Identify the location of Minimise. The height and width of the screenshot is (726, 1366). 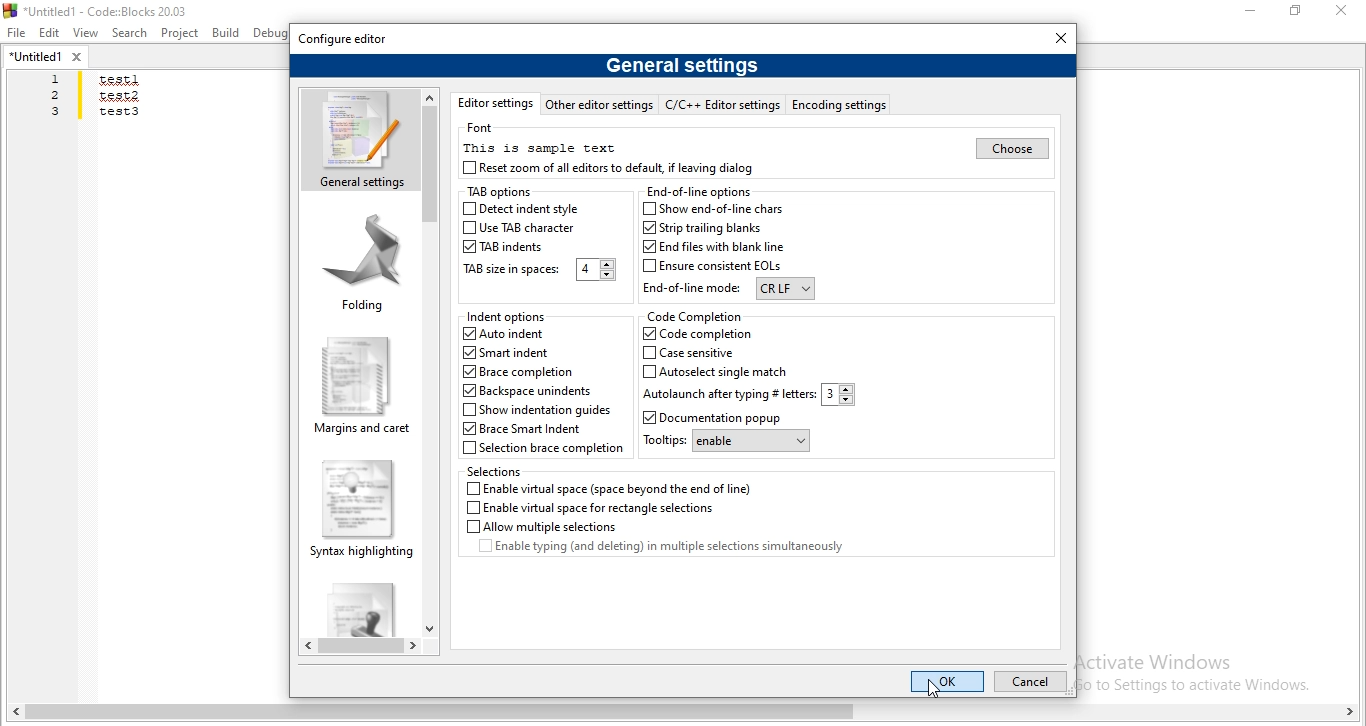
(1253, 11).